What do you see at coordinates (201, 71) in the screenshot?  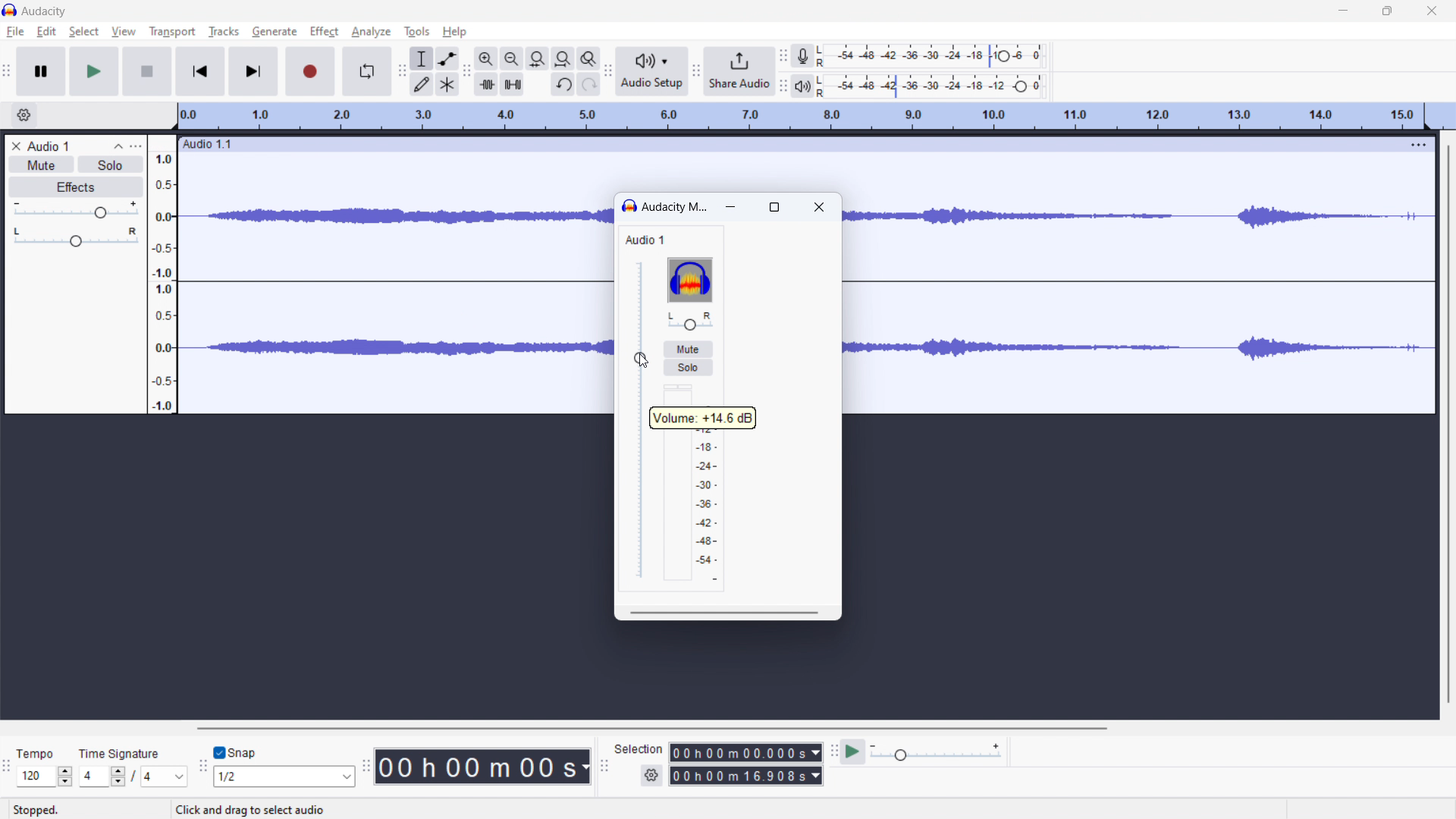 I see `skip to start` at bounding box center [201, 71].